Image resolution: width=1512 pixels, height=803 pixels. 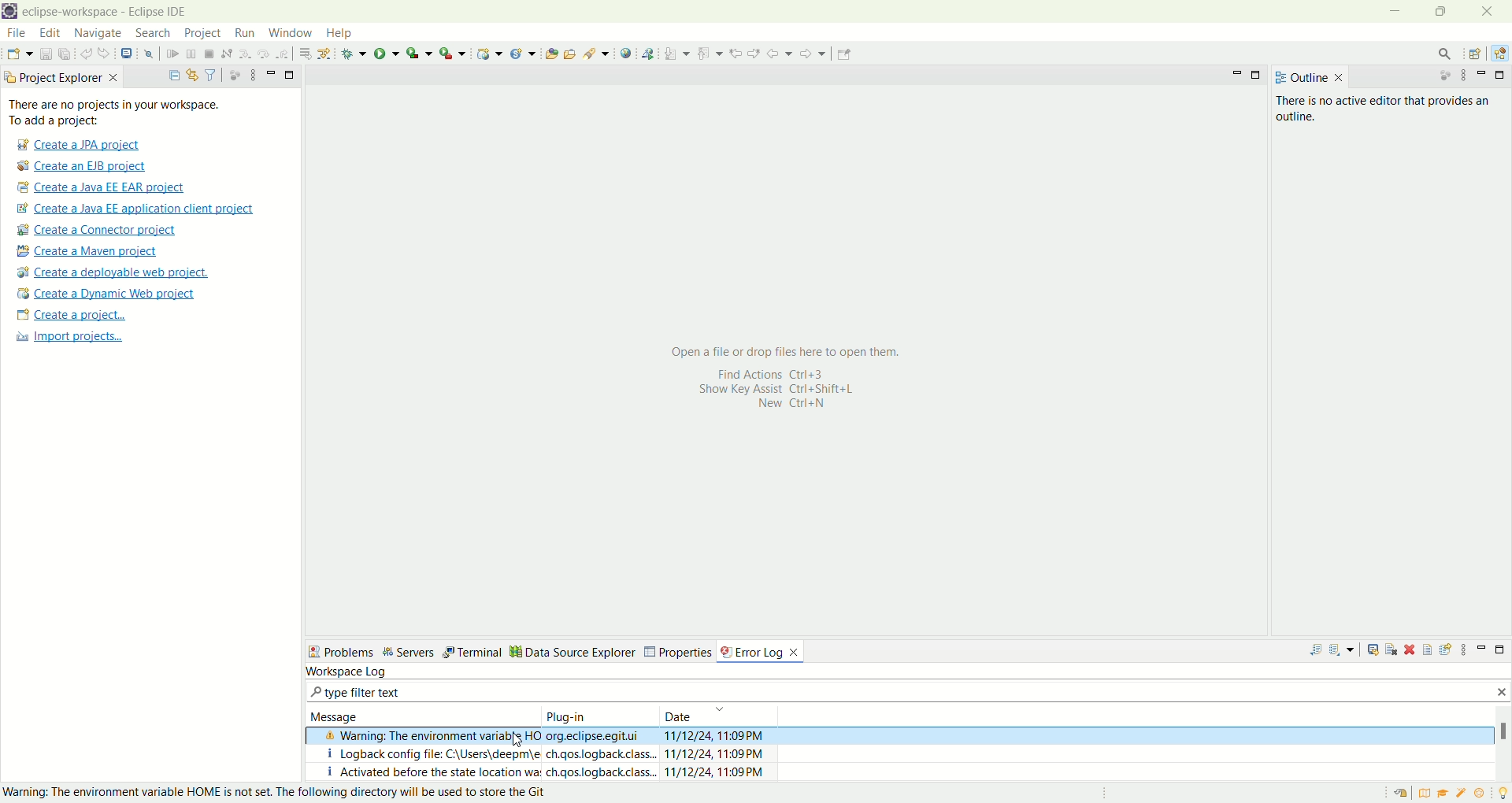 I want to click on project explorer, so click(x=61, y=78).